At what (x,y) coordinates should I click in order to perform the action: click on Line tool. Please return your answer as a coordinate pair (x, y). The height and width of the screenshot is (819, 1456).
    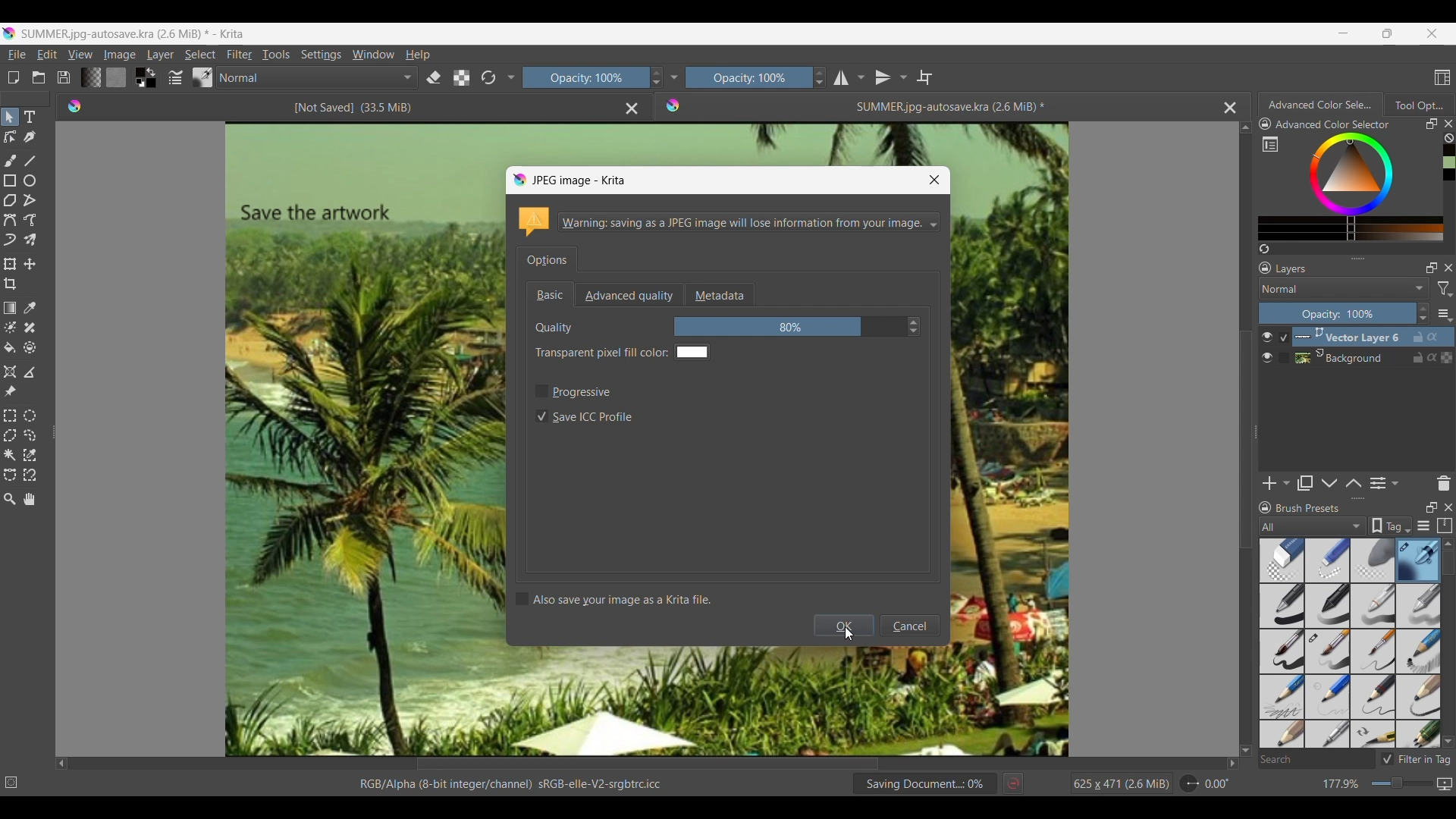
    Looking at the image, I should click on (30, 161).